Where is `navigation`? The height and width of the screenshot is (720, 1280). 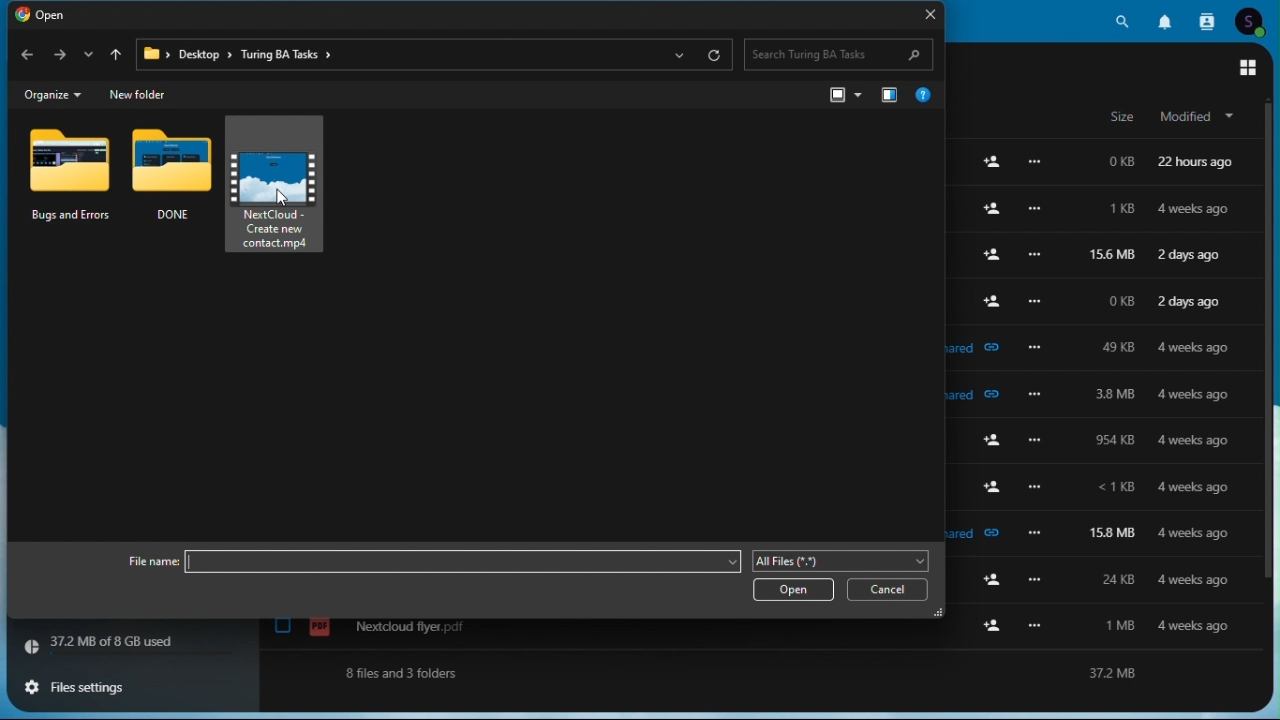 navigation is located at coordinates (892, 96).